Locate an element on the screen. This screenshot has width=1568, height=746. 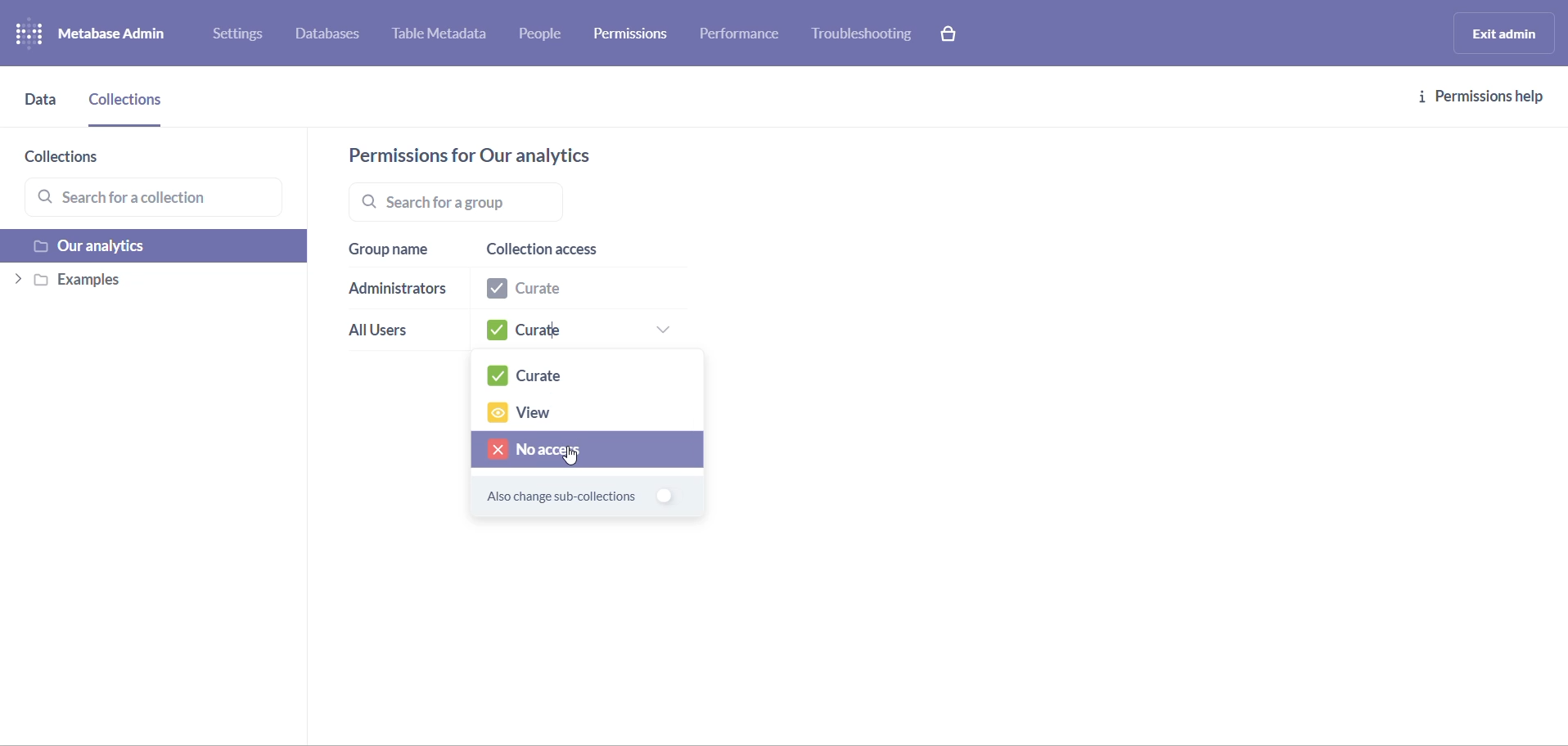
searchbar is located at coordinates (521, 201).